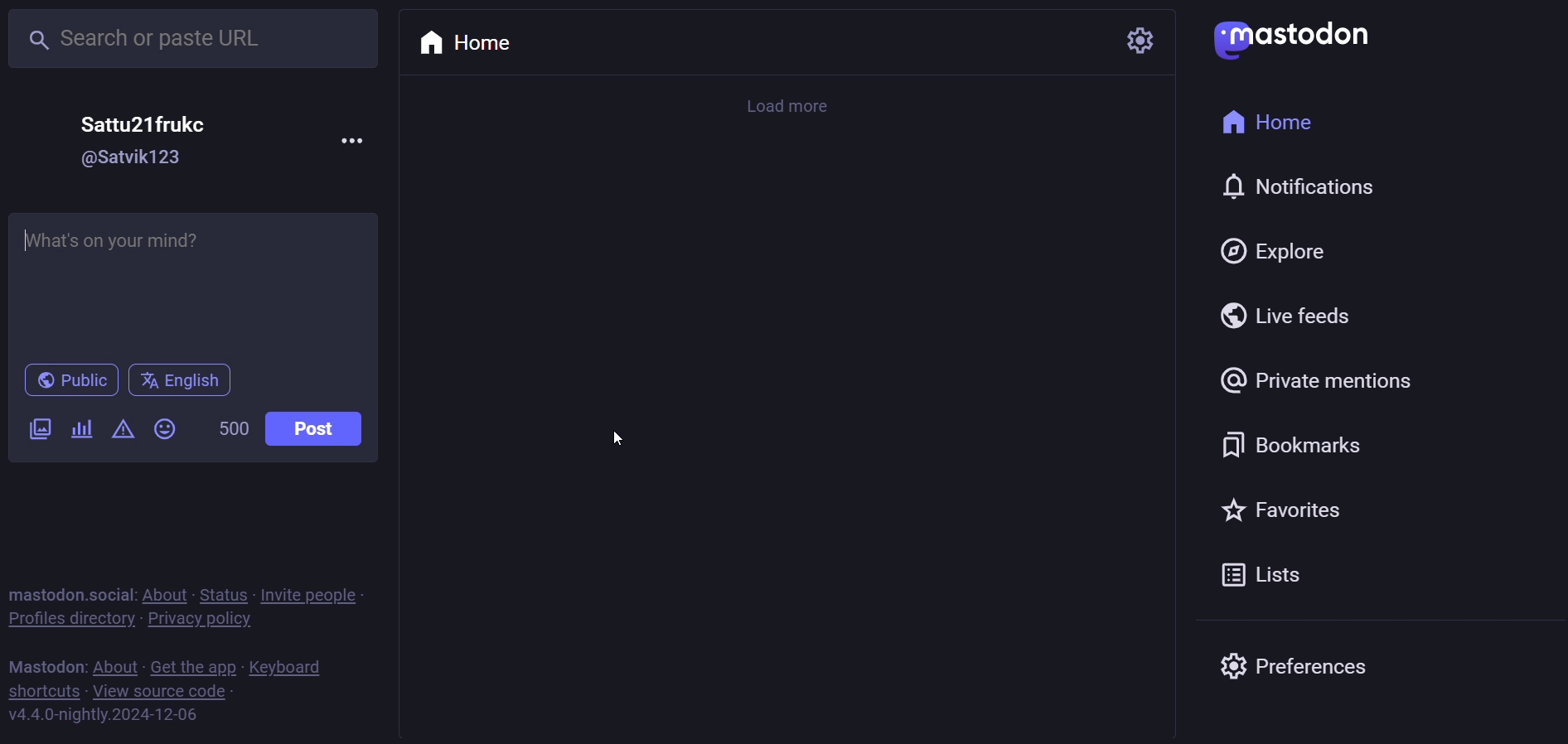 This screenshot has height=744, width=1568. I want to click on source code, so click(162, 689).